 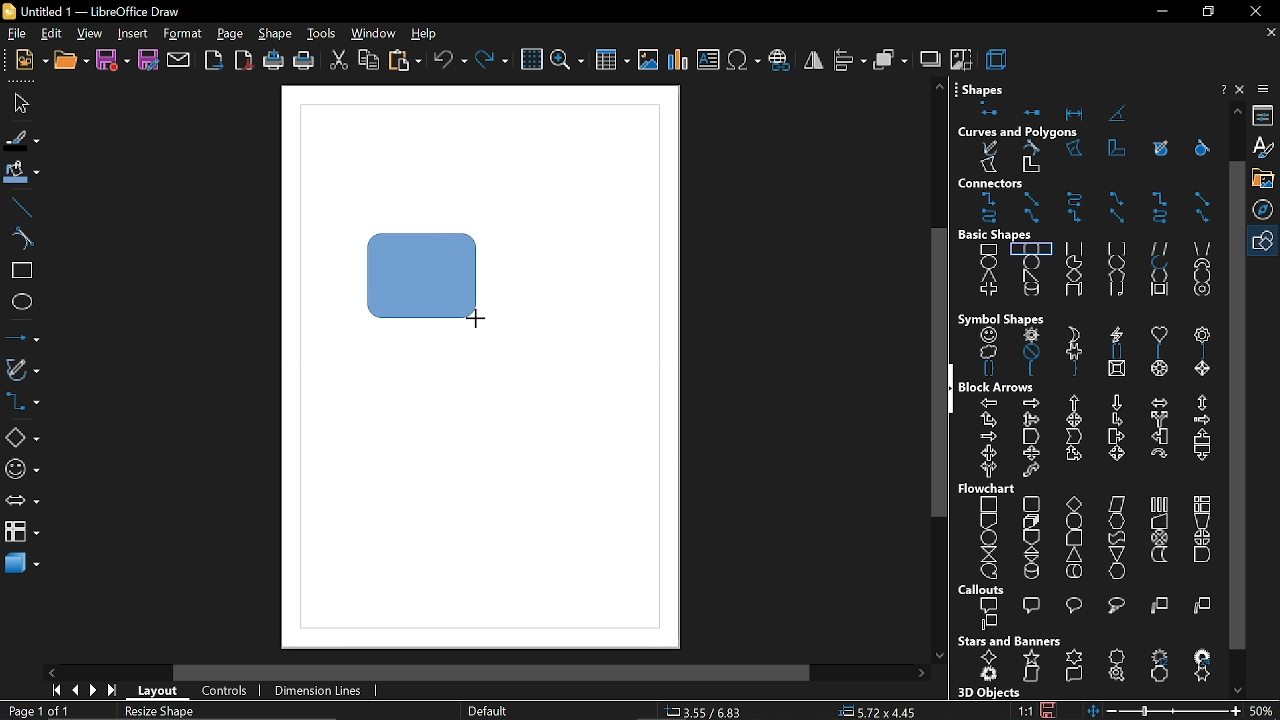 What do you see at coordinates (708, 61) in the screenshot?
I see `insert text` at bounding box center [708, 61].